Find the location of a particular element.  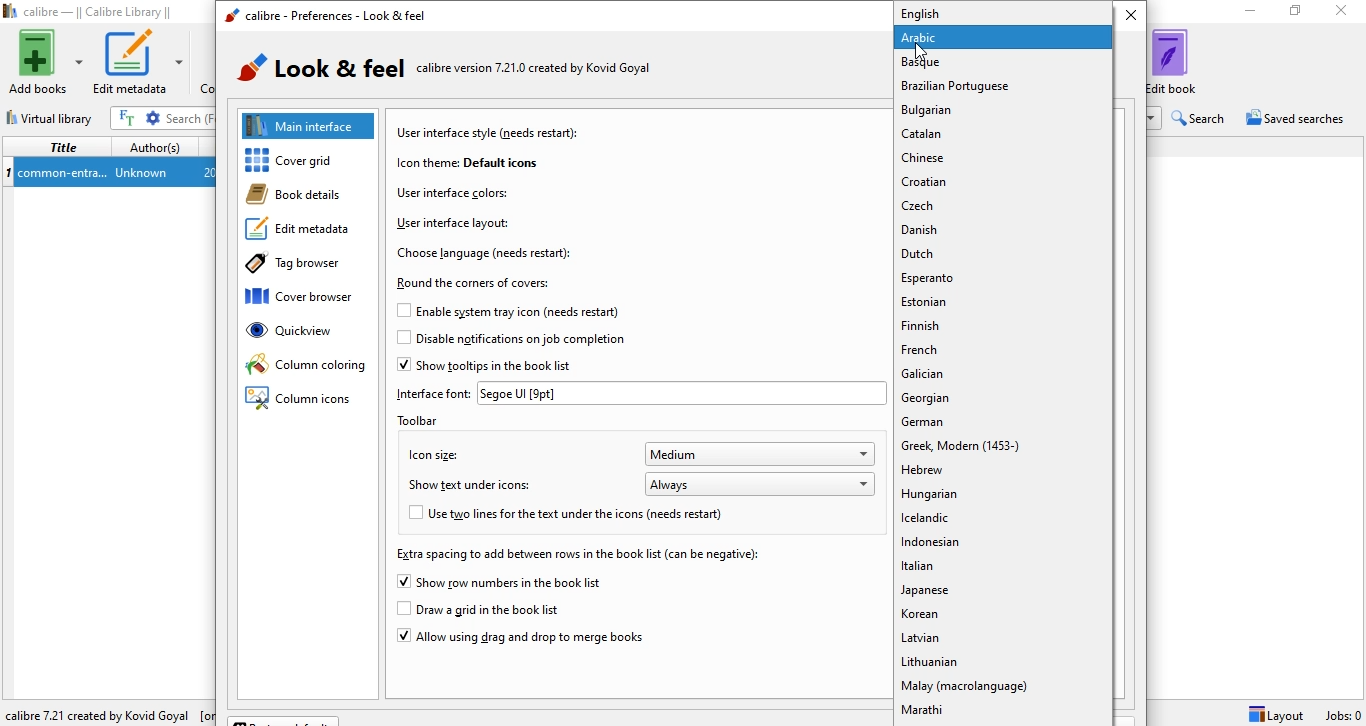

japanese is located at coordinates (1002, 592).